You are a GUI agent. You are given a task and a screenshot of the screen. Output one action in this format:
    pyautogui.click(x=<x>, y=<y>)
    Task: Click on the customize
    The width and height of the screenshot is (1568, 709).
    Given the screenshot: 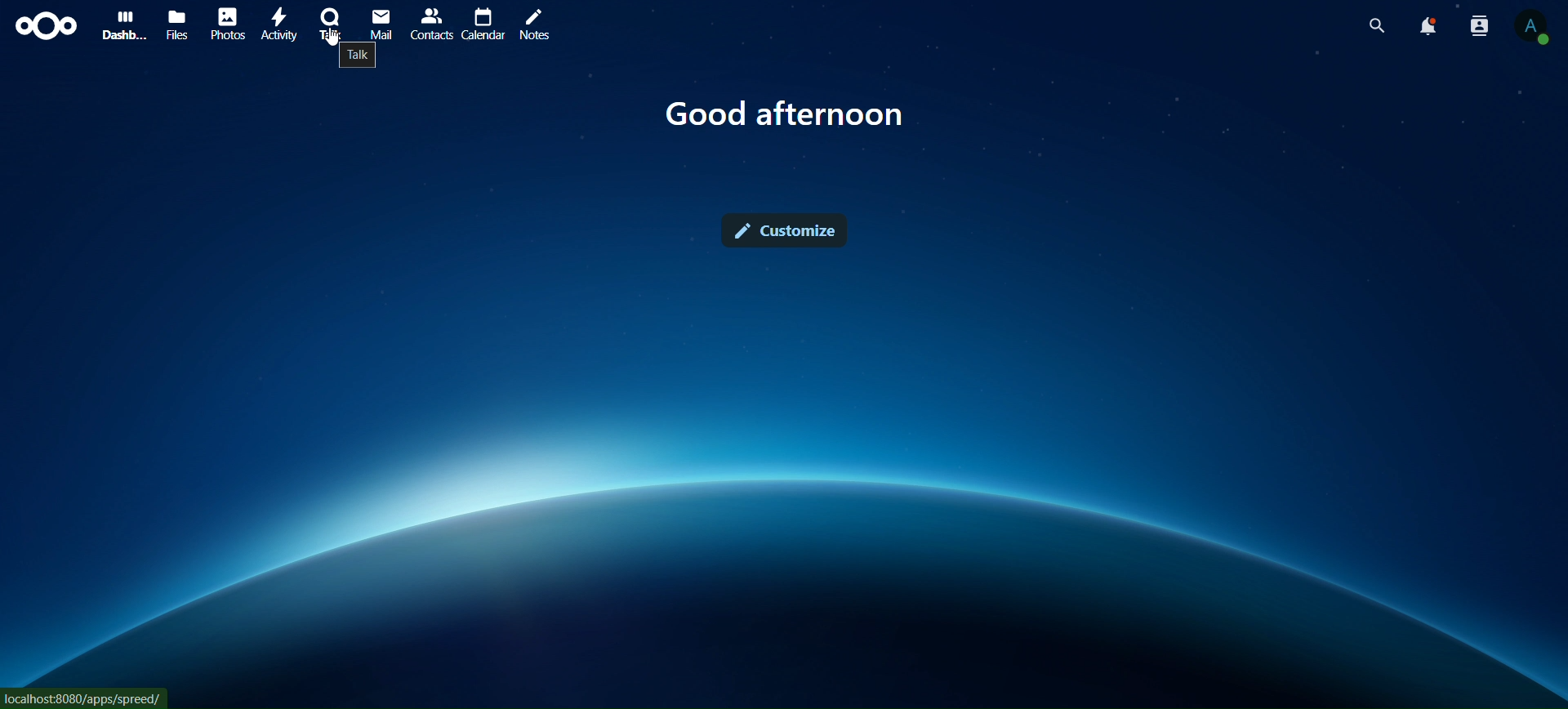 What is the action you would take?
    pyautogui.click(x=785, y=229)
    